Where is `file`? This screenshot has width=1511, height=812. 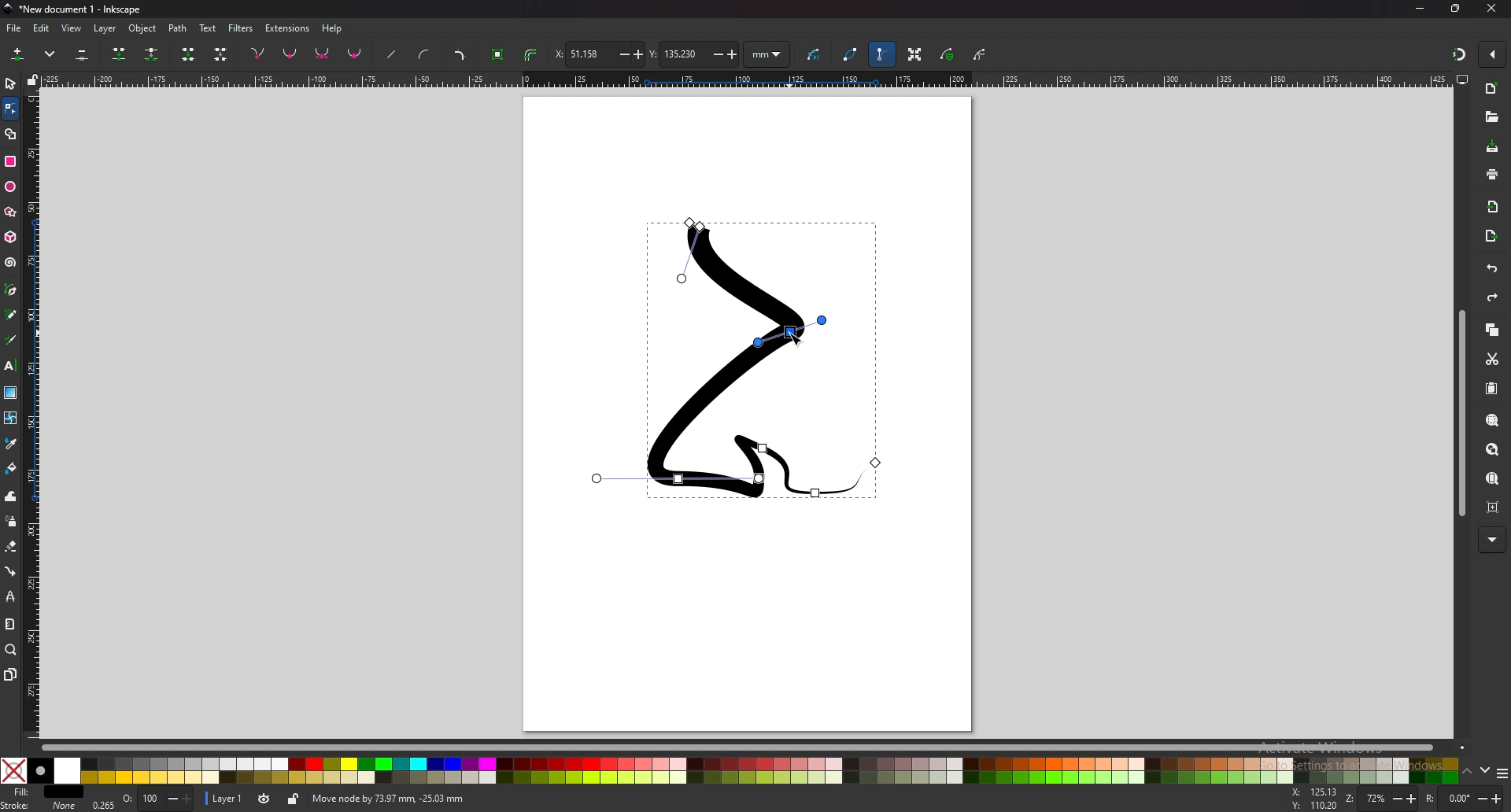
file is located at coordinates (14, 28).